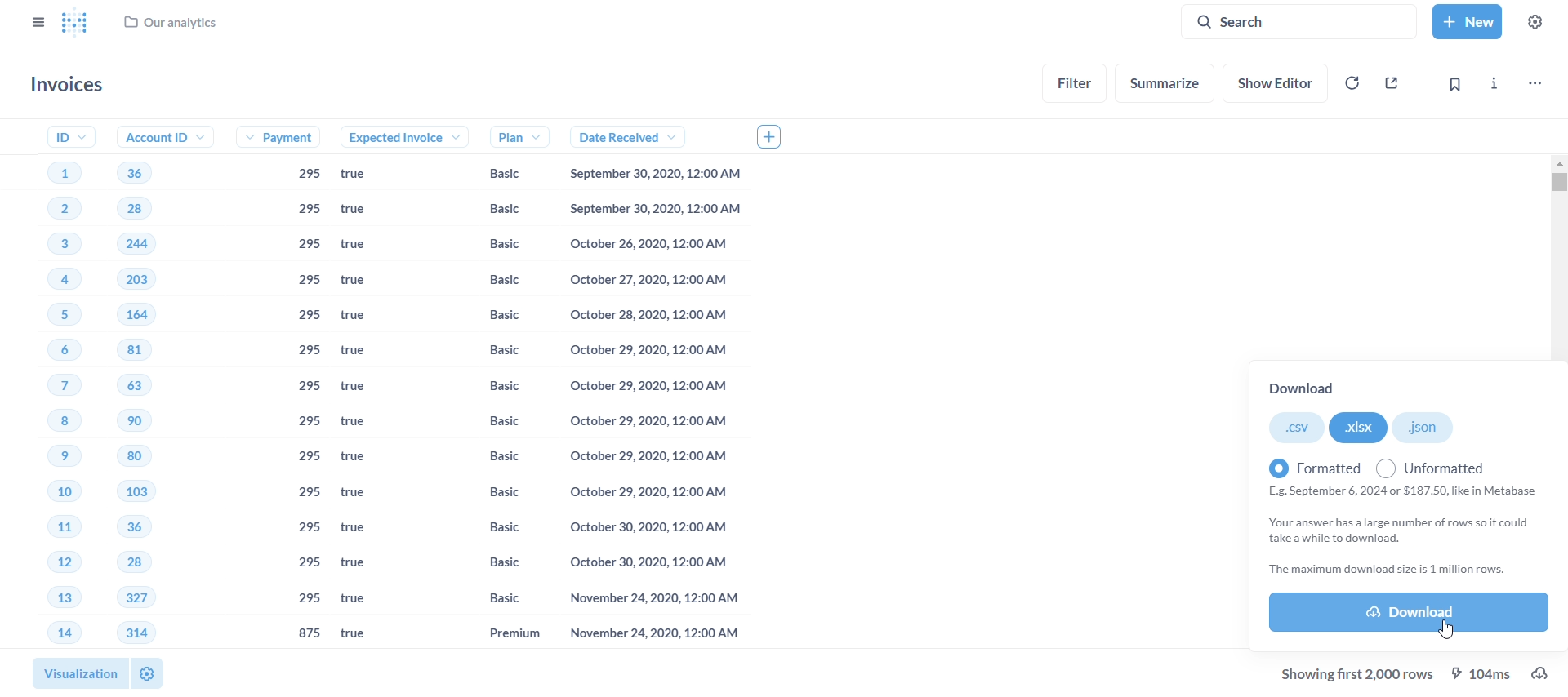 Image resolution: width=1568 pixels, height=697 pixels. Describe the element at coordinates (305, 175) in the screenshot. I see `295` at that location.